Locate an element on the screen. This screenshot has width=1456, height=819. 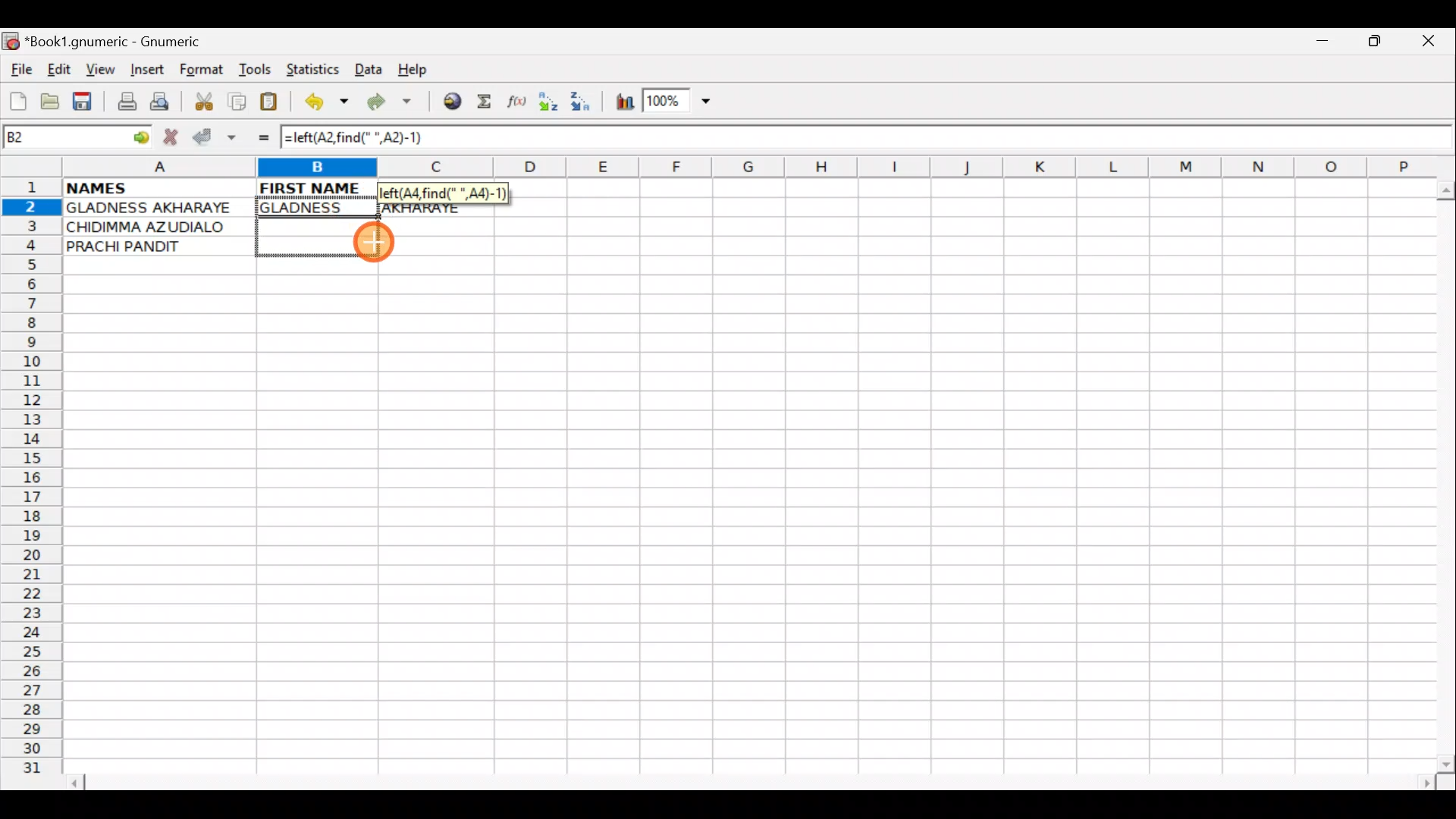
GLADNESS is located at coordinates (313, 208).